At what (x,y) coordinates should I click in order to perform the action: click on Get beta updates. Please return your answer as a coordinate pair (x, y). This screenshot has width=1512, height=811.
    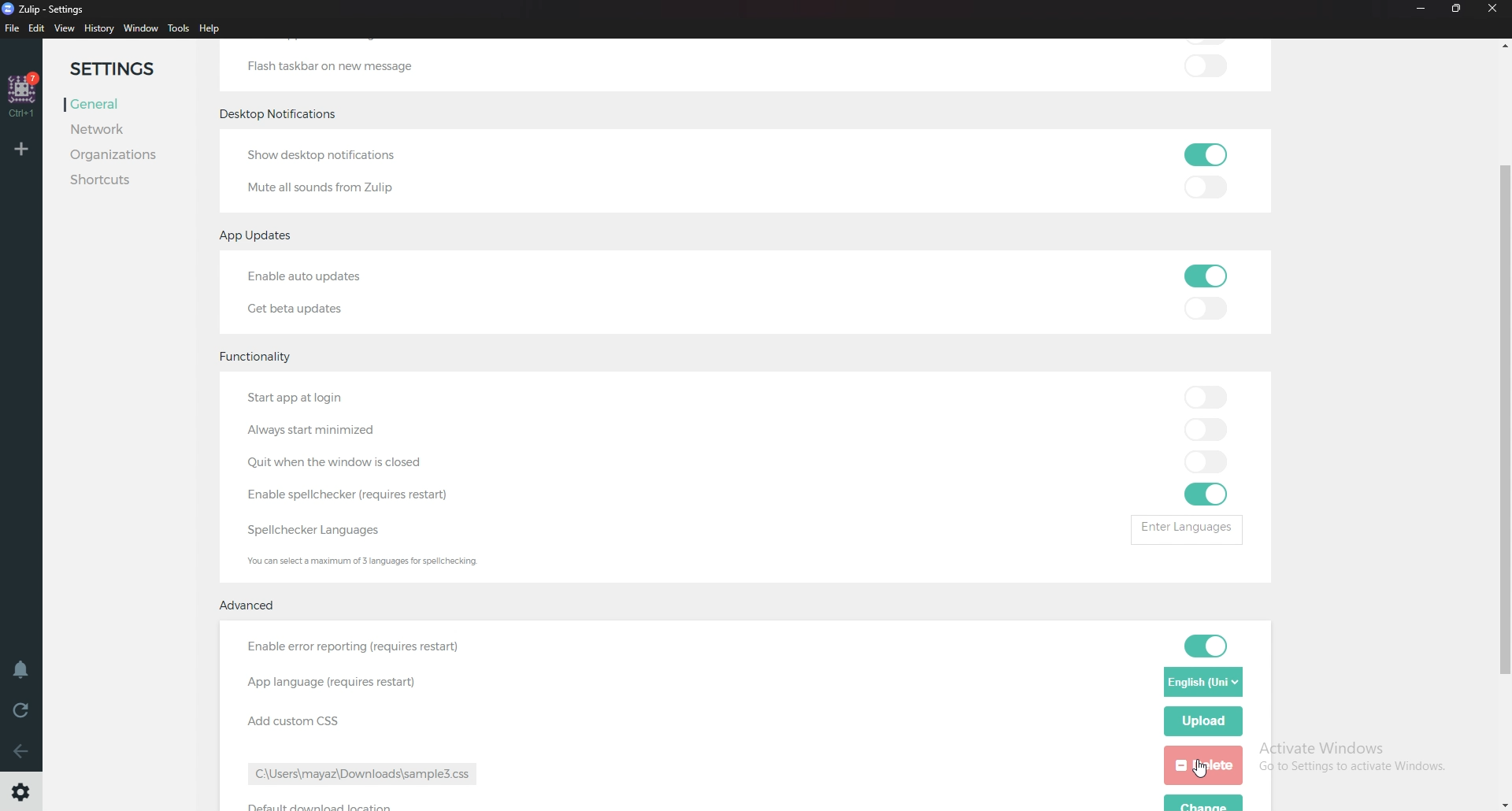
    Looking at the image, I should click on (301, 307).